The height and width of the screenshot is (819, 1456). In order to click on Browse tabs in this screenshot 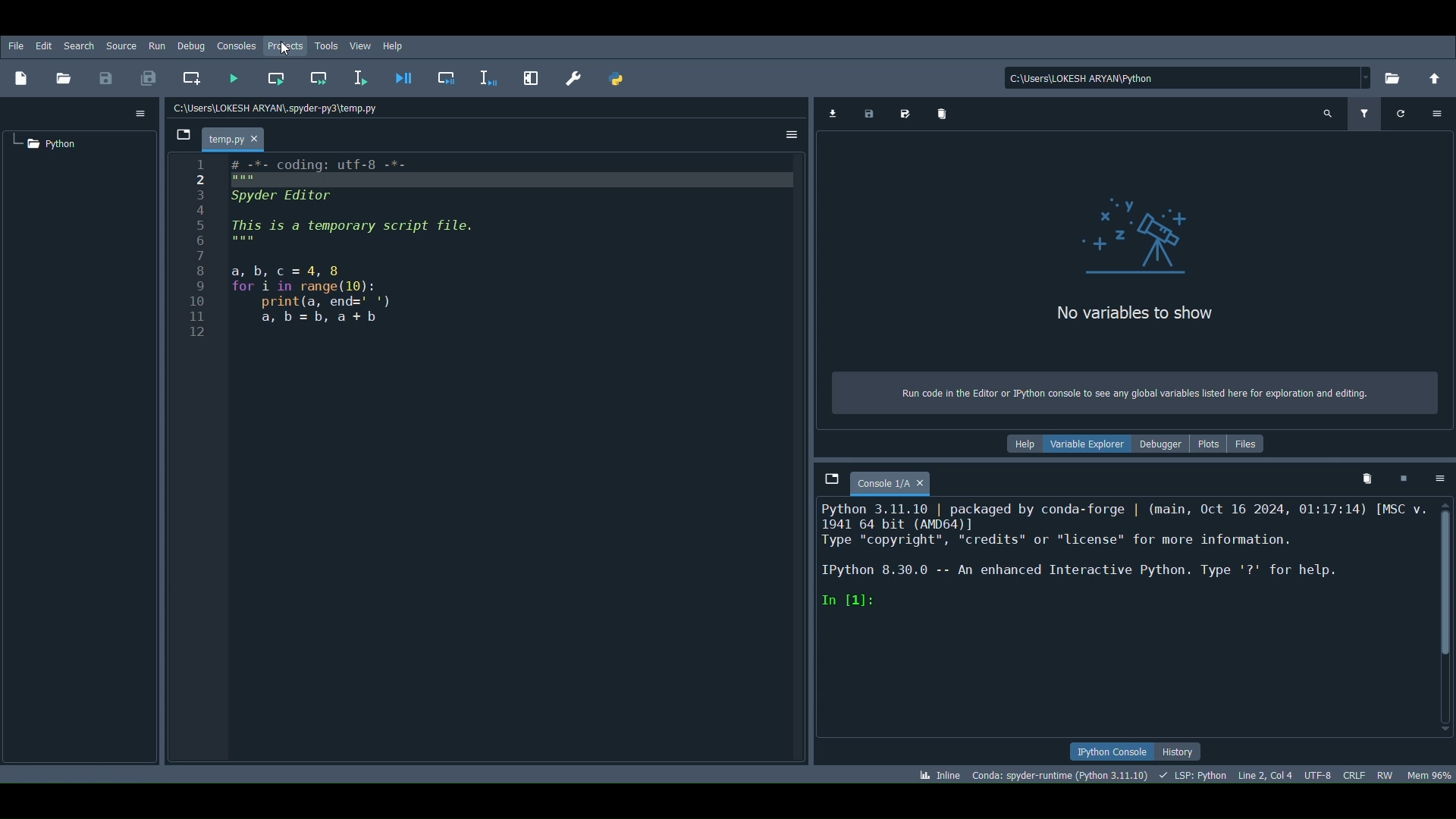, I will do `click(832, 478)`.